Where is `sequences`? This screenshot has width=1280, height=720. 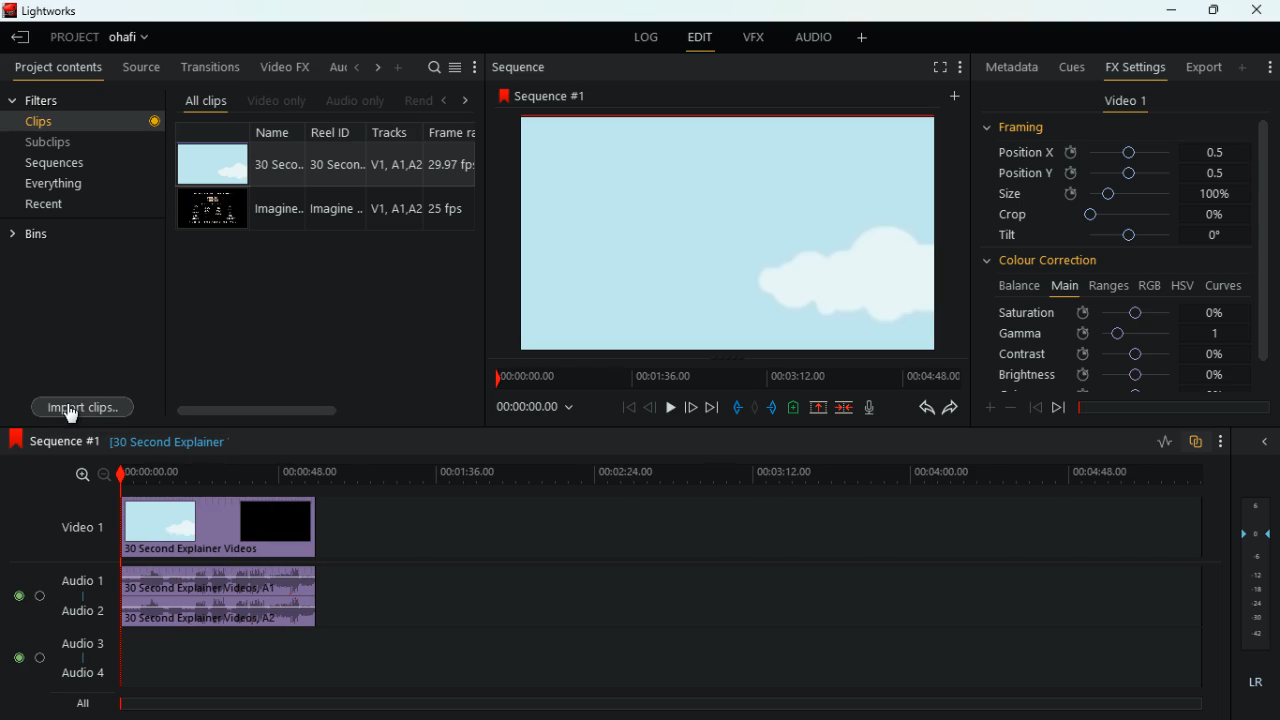
sequences is located at coordinates (66, 165).